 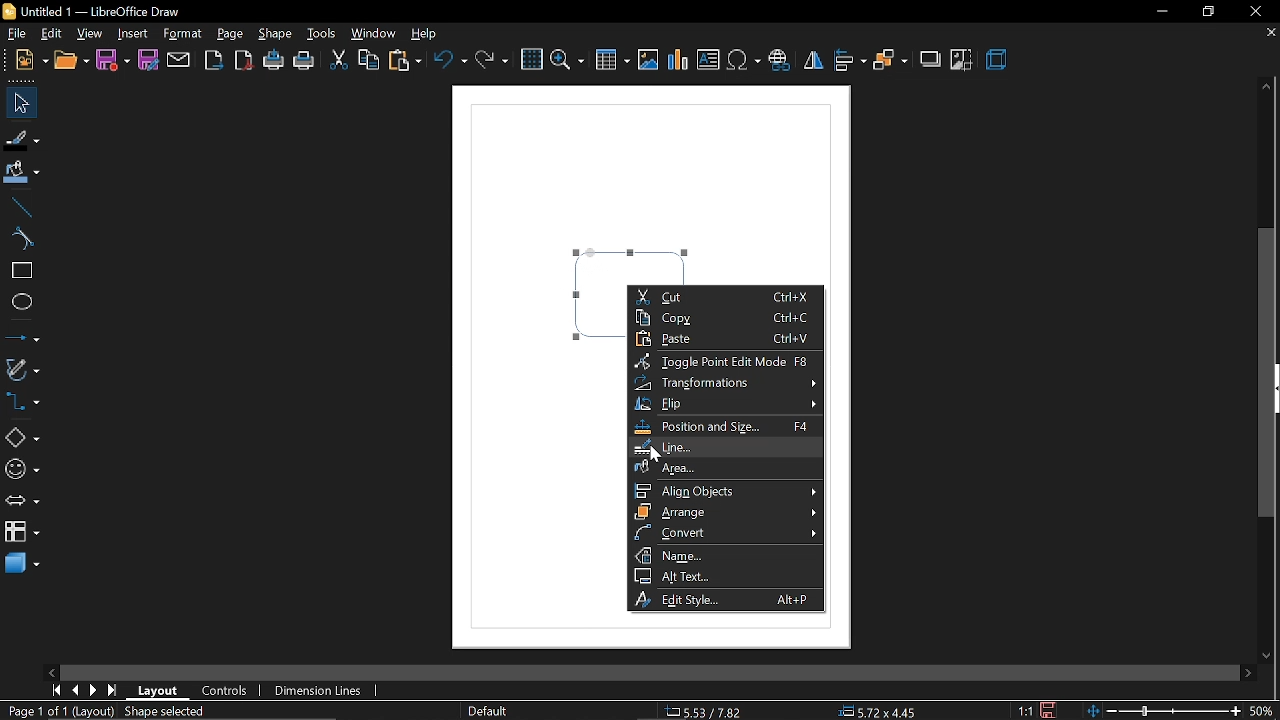 What do you see at coordinates (22, 305) in the screenshot?
I see `ellipse` at bounding box center [22, 305].